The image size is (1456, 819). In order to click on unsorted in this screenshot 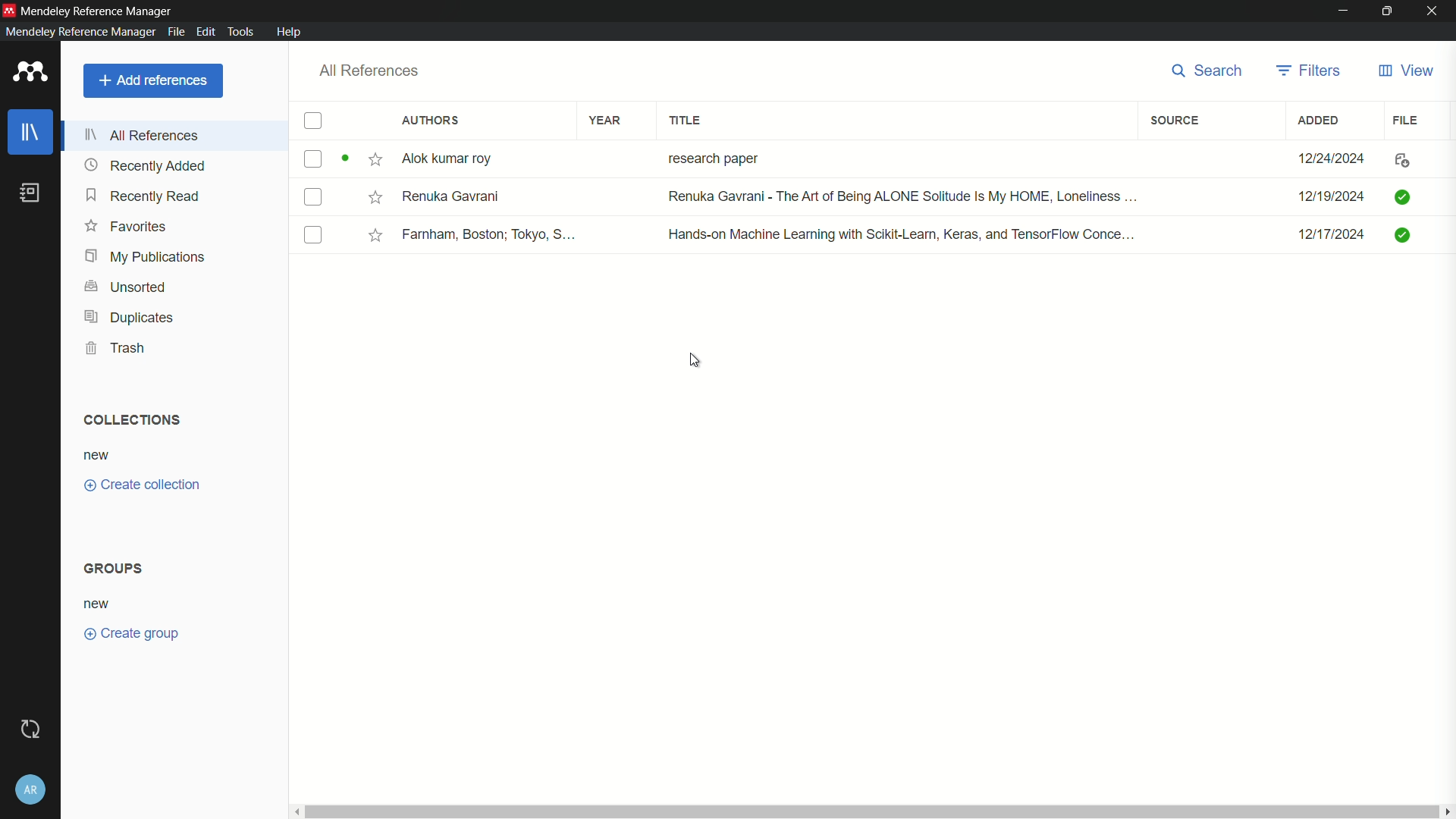, I will do `click(127, 286)`.